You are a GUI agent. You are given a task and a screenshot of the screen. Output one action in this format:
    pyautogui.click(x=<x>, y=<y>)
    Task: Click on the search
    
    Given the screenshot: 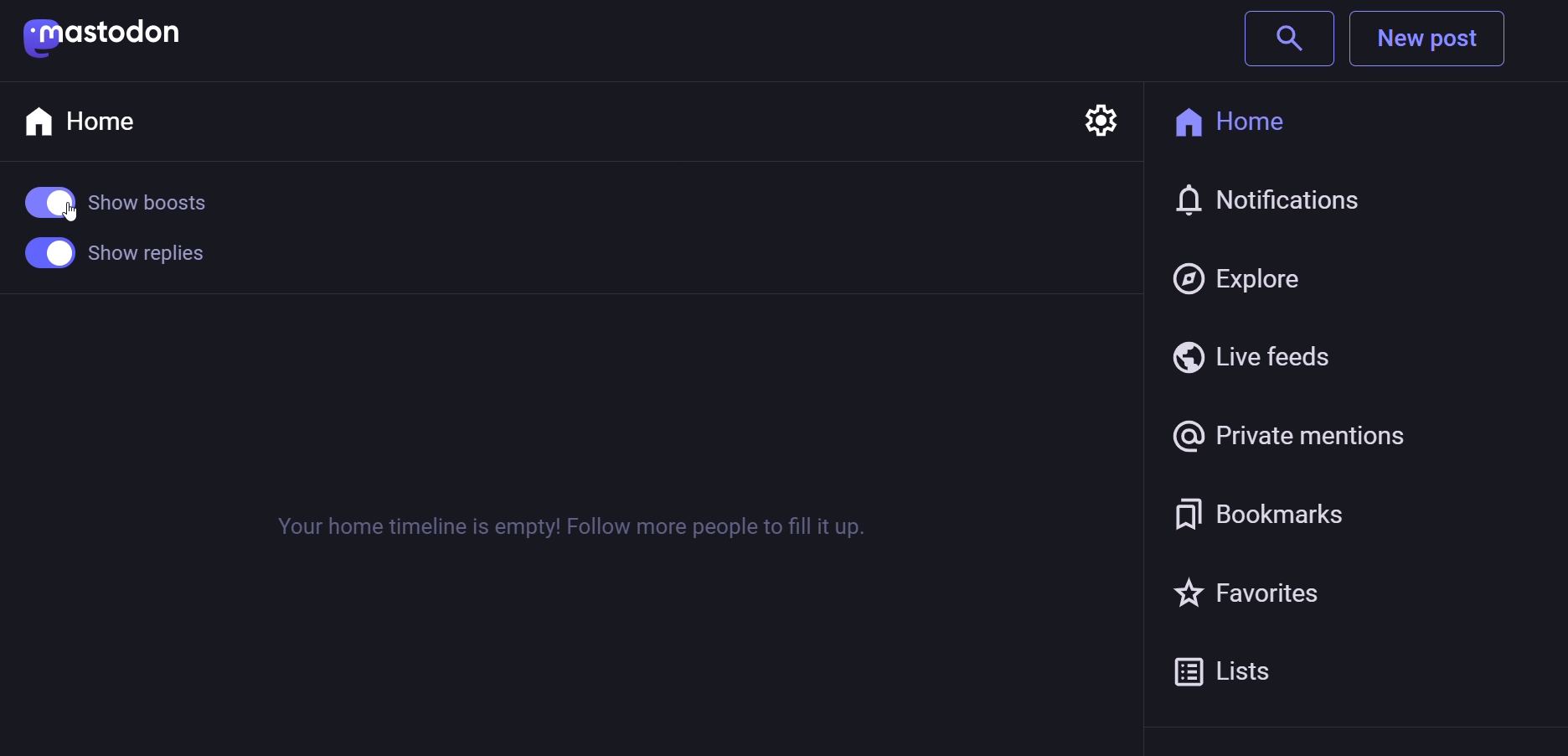 What is the action you would take?
    pyautogui.click(x=1290, y=41)
    